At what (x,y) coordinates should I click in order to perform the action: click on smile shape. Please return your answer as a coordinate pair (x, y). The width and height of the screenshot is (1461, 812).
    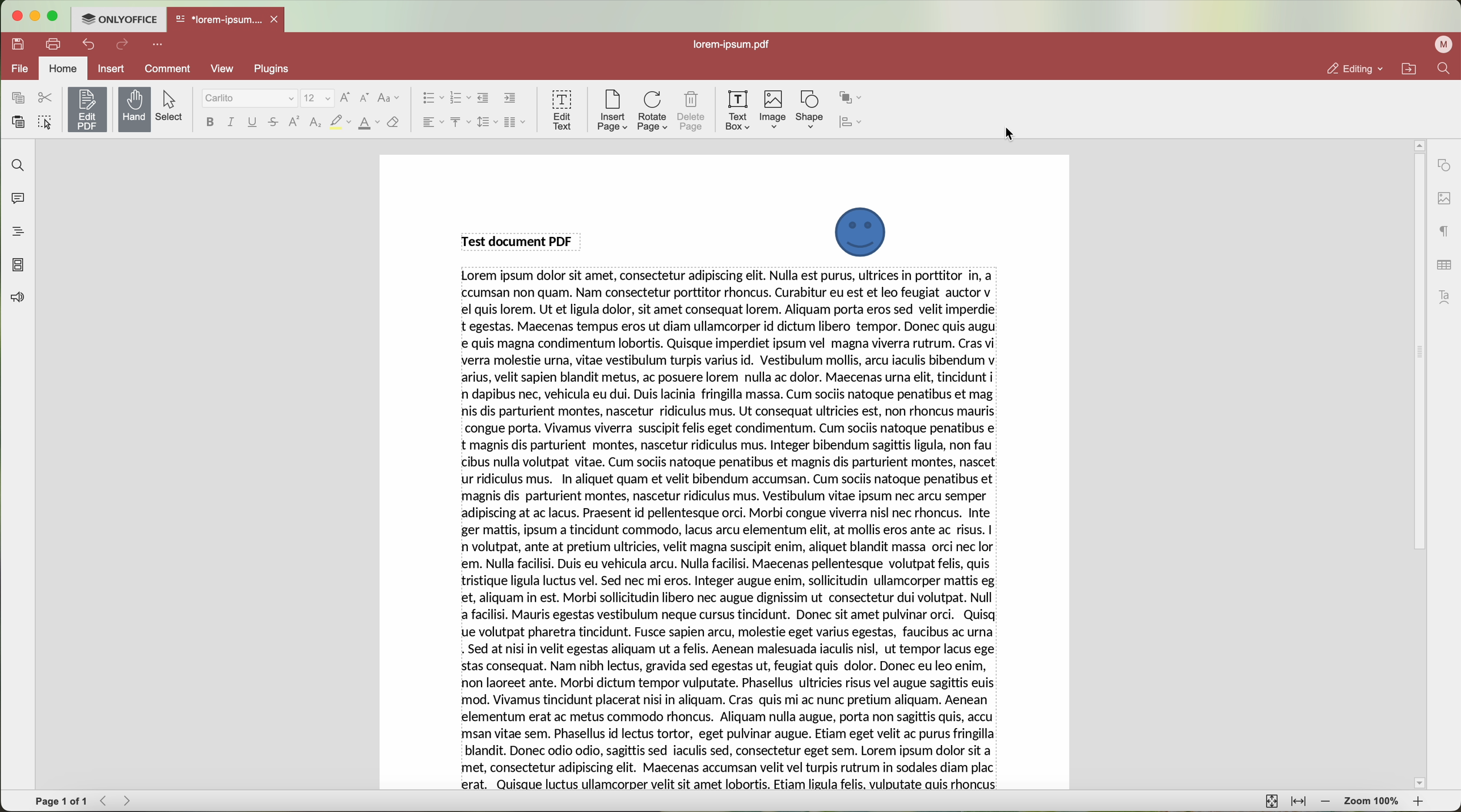
    Looking at the image, I should click on (860, 231).